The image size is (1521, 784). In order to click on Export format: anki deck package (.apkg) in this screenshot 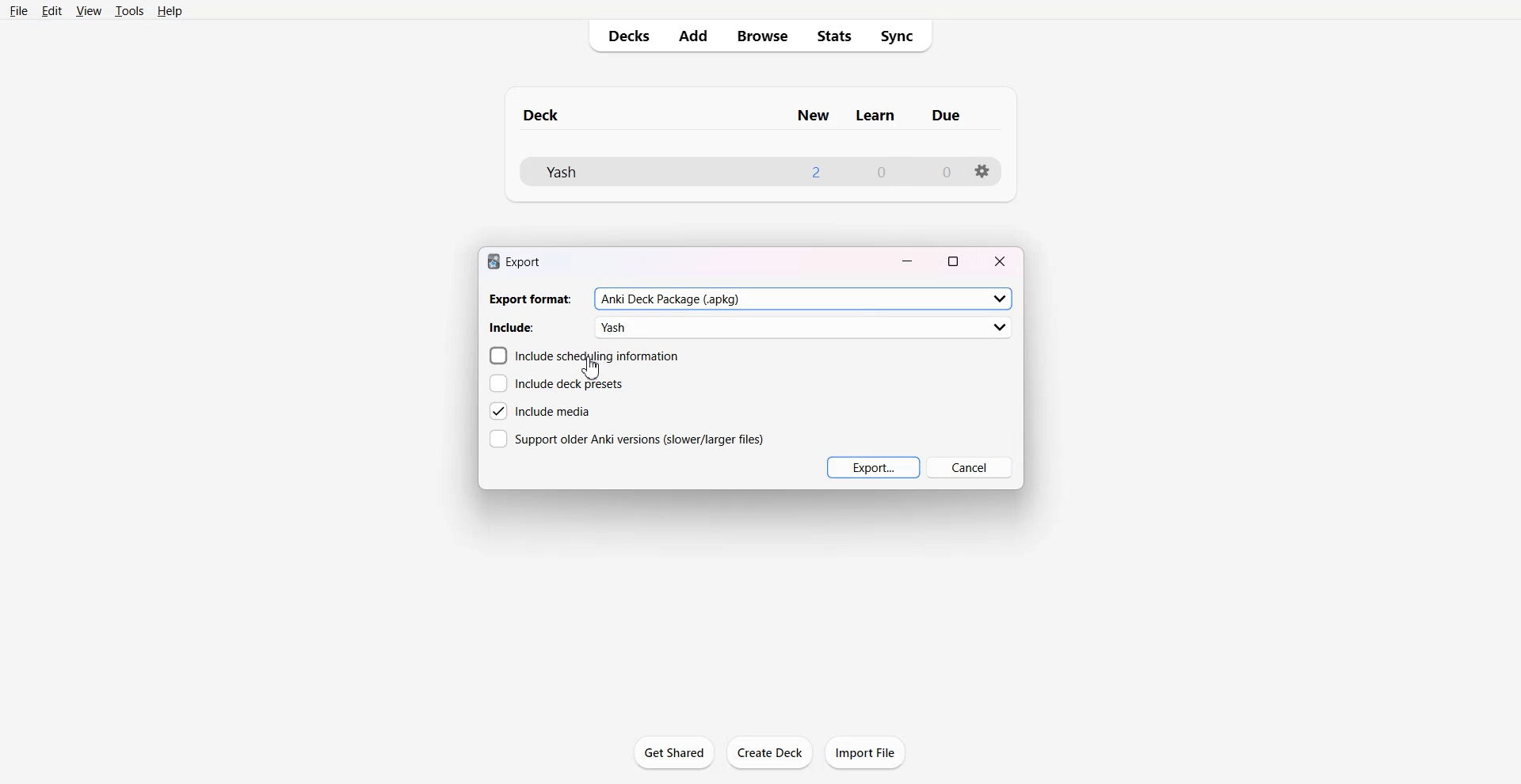, I will do `click(749, 299)`.